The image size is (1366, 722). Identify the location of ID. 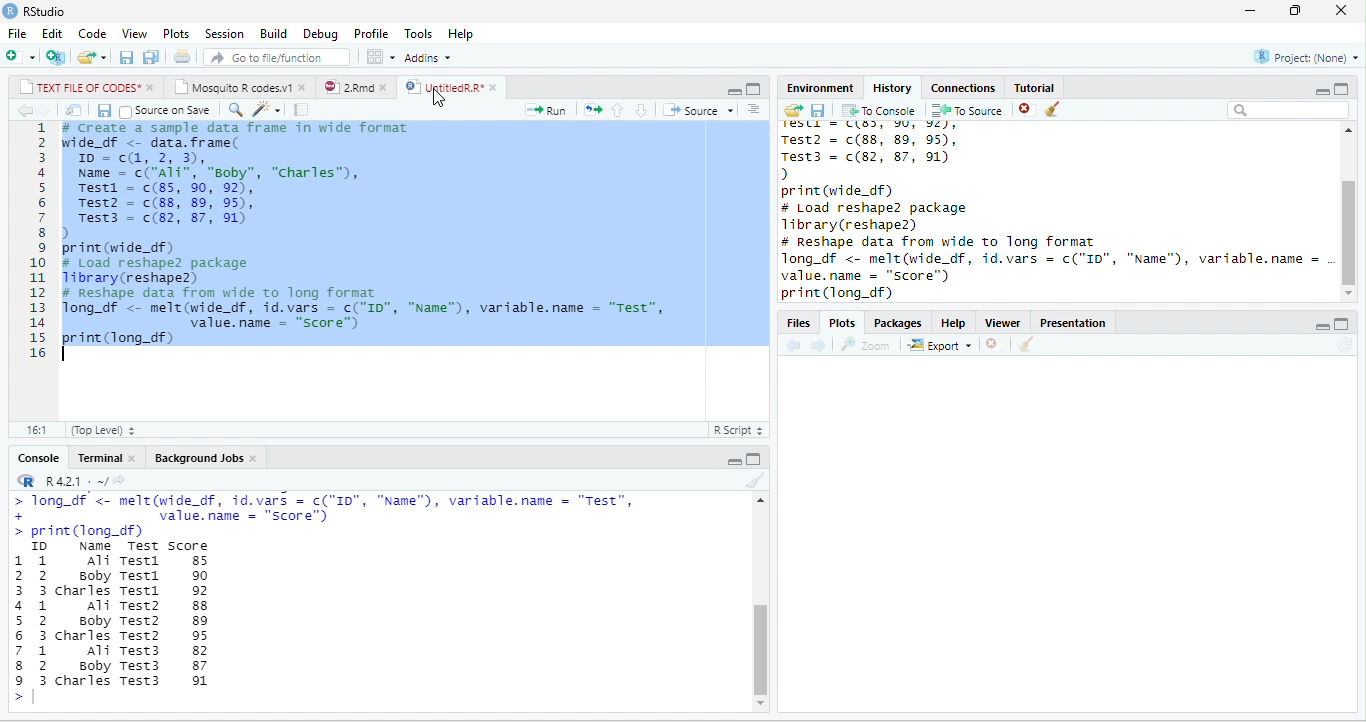
(40, 547).